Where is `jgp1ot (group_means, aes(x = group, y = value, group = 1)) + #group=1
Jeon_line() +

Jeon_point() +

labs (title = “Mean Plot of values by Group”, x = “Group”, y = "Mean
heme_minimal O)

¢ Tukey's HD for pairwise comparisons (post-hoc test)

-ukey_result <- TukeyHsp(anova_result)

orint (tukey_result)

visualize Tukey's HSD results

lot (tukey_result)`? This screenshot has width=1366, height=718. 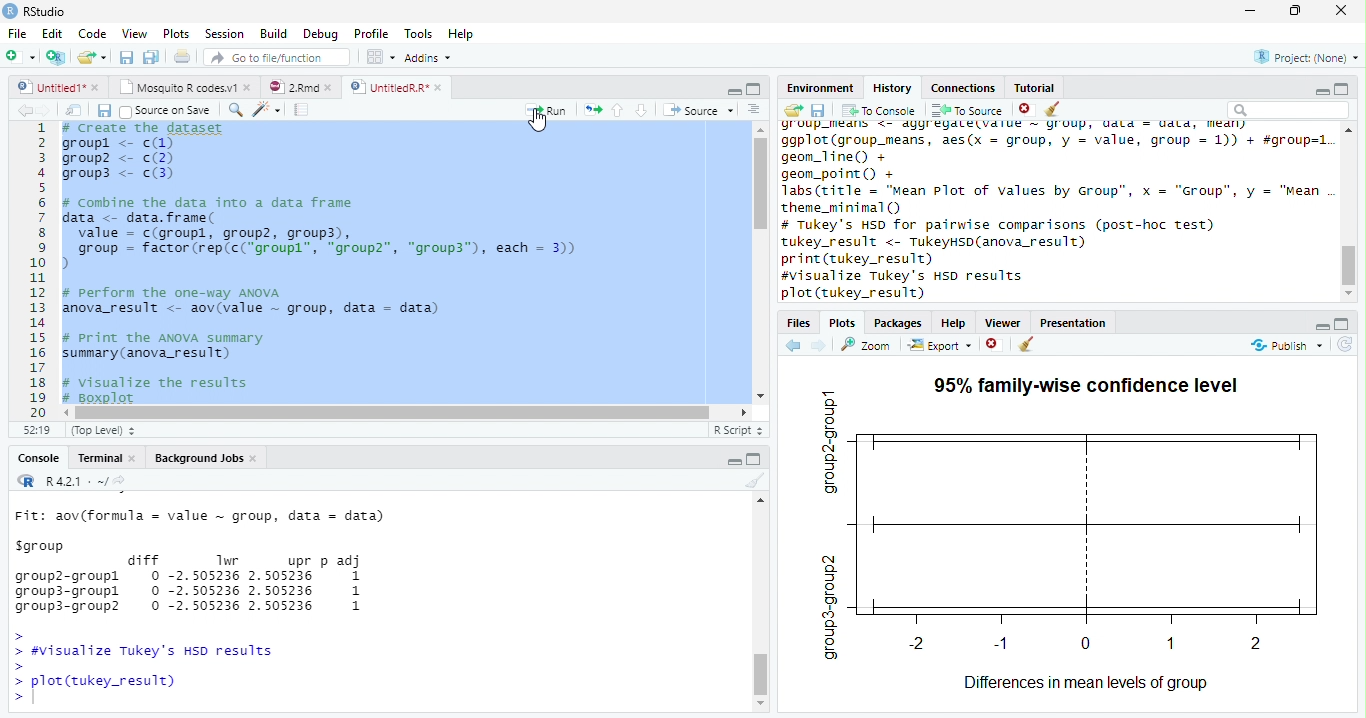 jgp1ot (group_means, aes(x = group, y = value, group = 1)) + #group=1
Jeon_line() +

Jeon_point() +

labs (title = “Mean Plot of values by Group”, x = “Group”, y = "Mean
heme_minimal O)

¢ Tukey's HD for pairwise comparisons (post-hoc test)

-ukey_result <- TukeyHsp(anova_result)

orint (tukey_result)

visualize Tukey's HSD results

lot (tukey_result) is located at coordinates (1052, 211).